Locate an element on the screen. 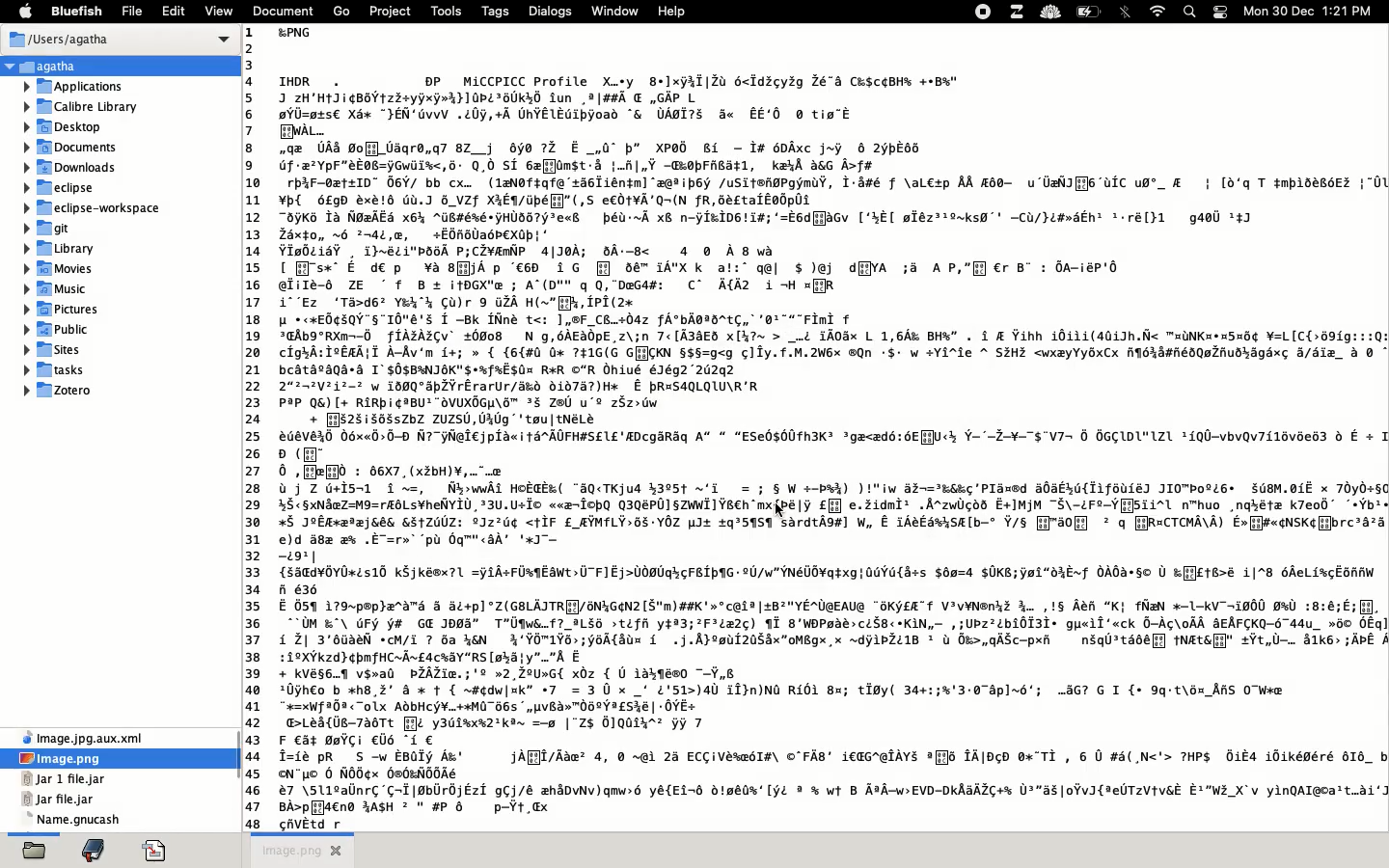 The image size is (1389, 868). cursor is located at coordinates (780, 512).